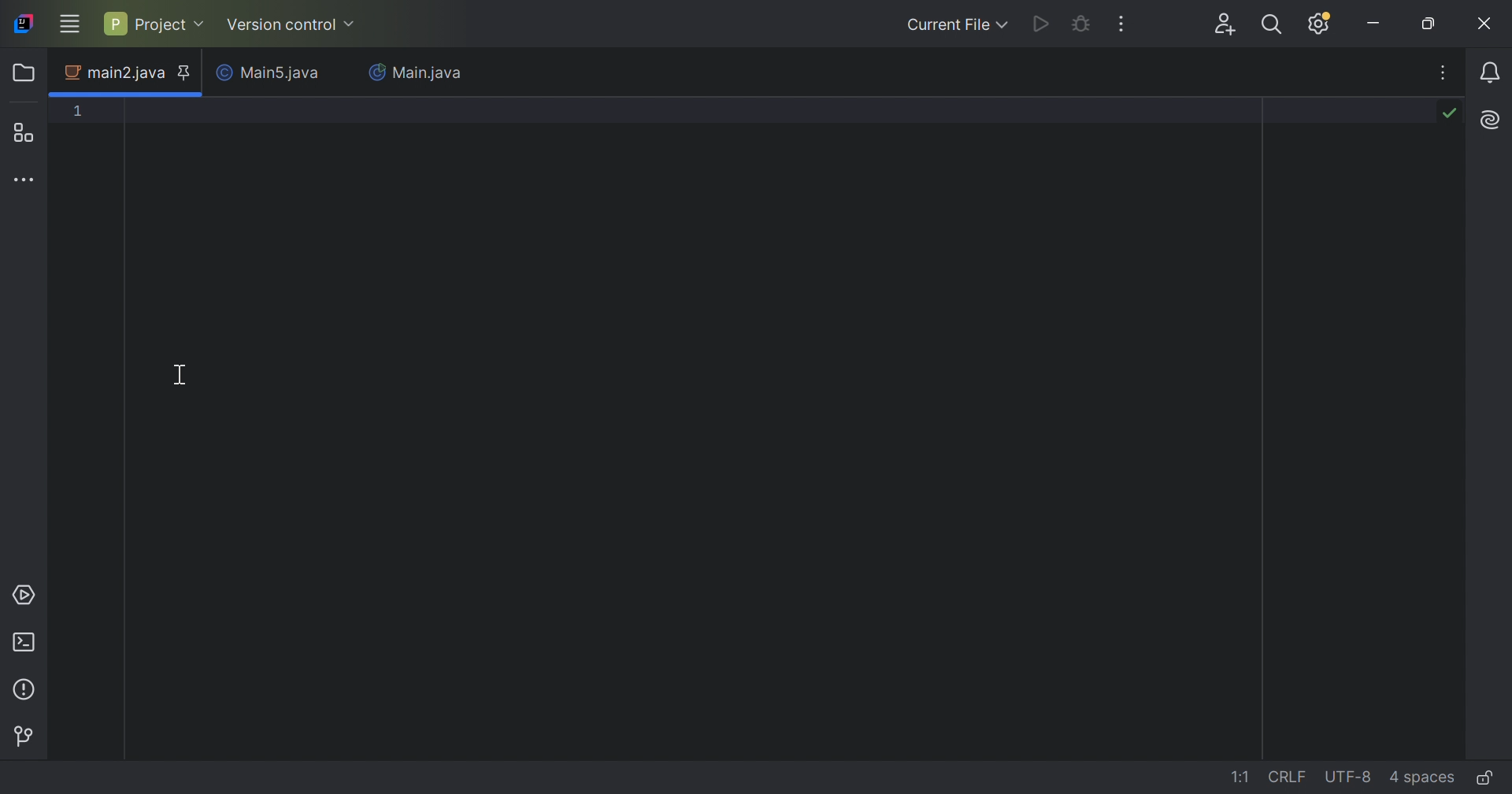 This screenshot has height=794, width=1512. I want to click on Version control, so click(292, 27).